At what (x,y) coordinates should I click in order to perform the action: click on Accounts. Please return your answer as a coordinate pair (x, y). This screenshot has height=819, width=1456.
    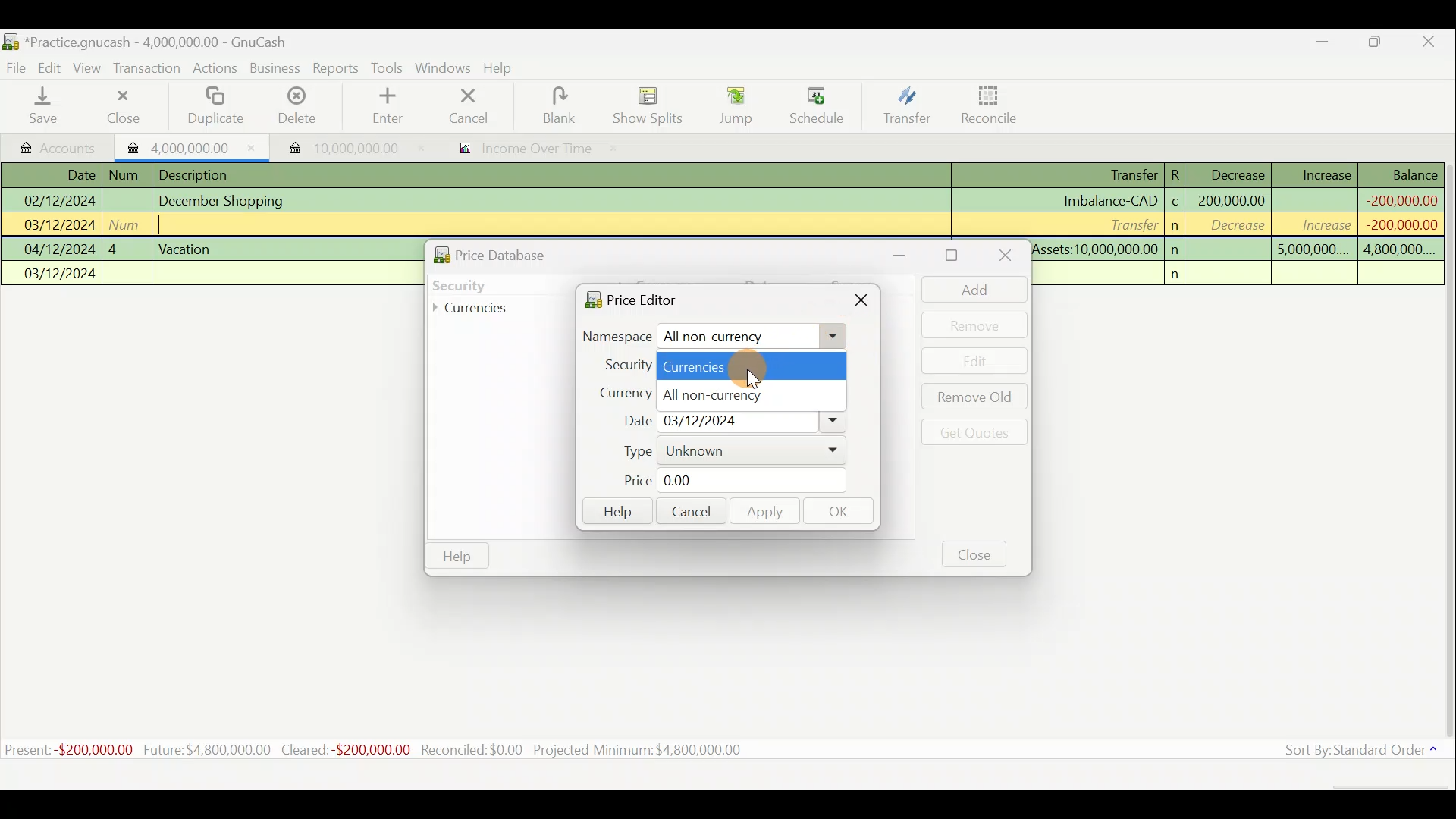
    Looking at the image, I should click on (53, 145).